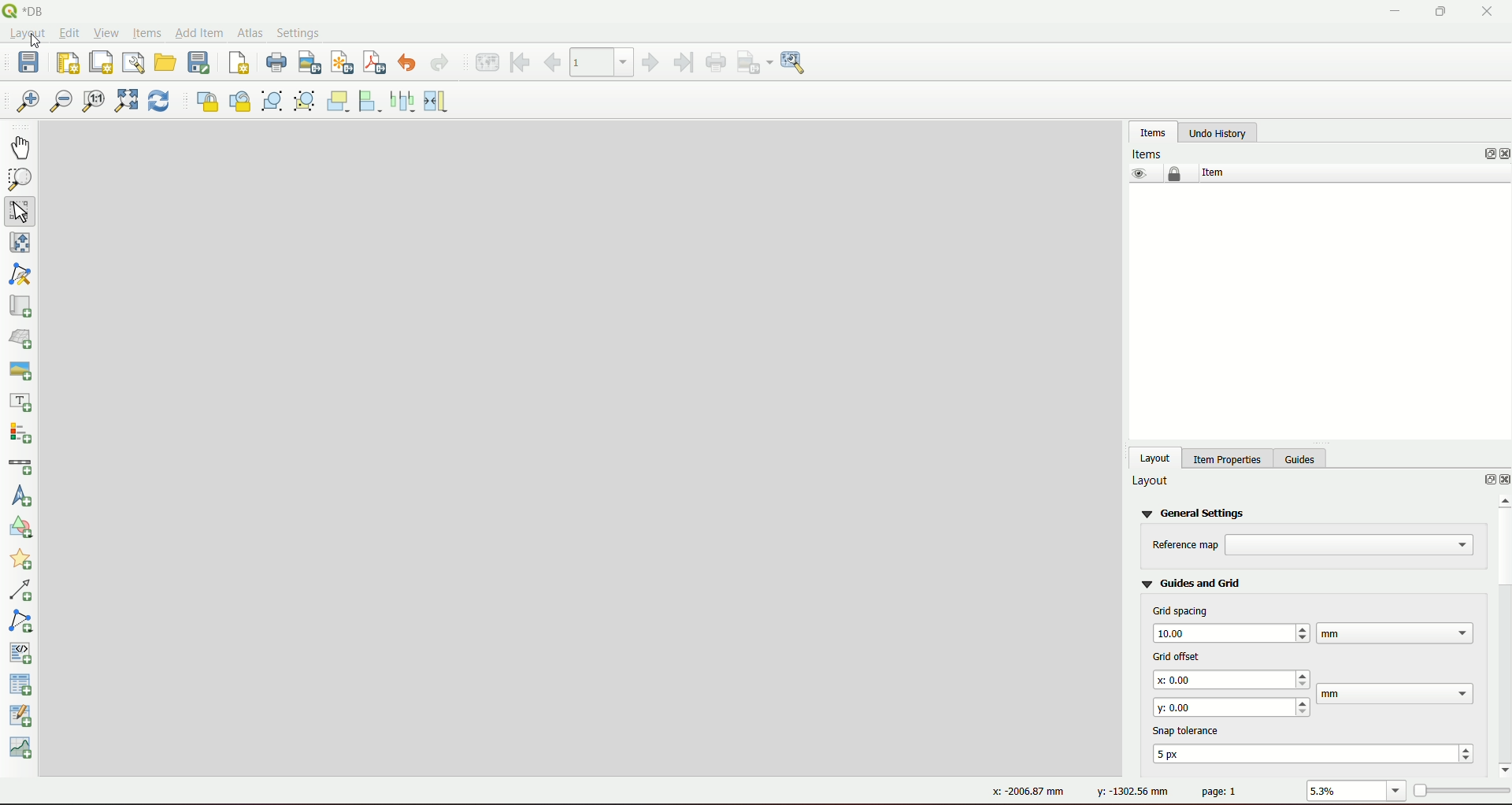 Image resolution: width=1512 pixels, height=805 pixels. Describe the element at coordinates (1501, 633) in the screenshot. I see `scrollbar` at that location.